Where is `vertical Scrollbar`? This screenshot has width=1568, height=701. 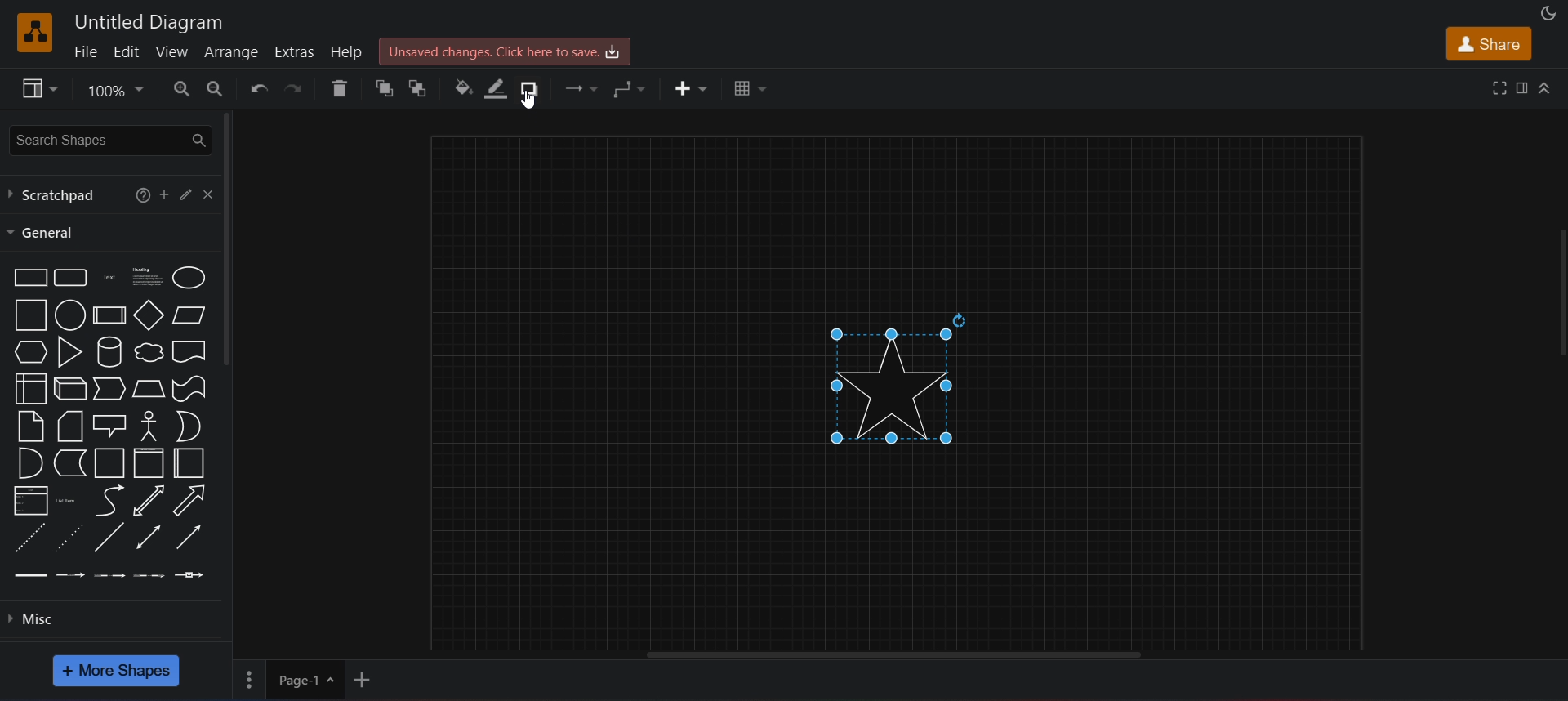
vertical Scrollbar is located at coordinates (1556, 328).